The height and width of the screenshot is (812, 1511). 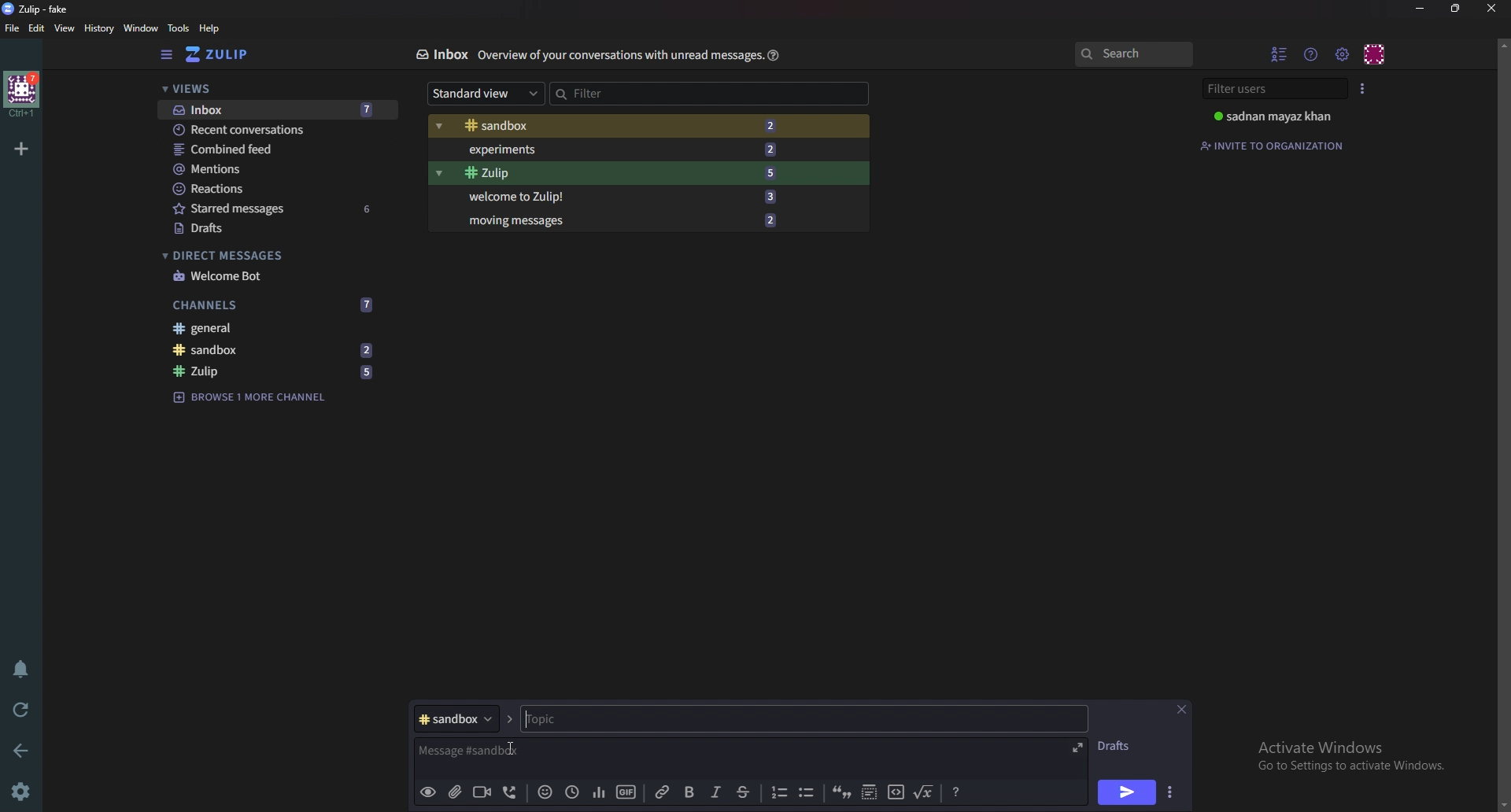 What do you see at coordinates (101, 28) in the screenshot?
I see `History` at bounding box center [101, 28].